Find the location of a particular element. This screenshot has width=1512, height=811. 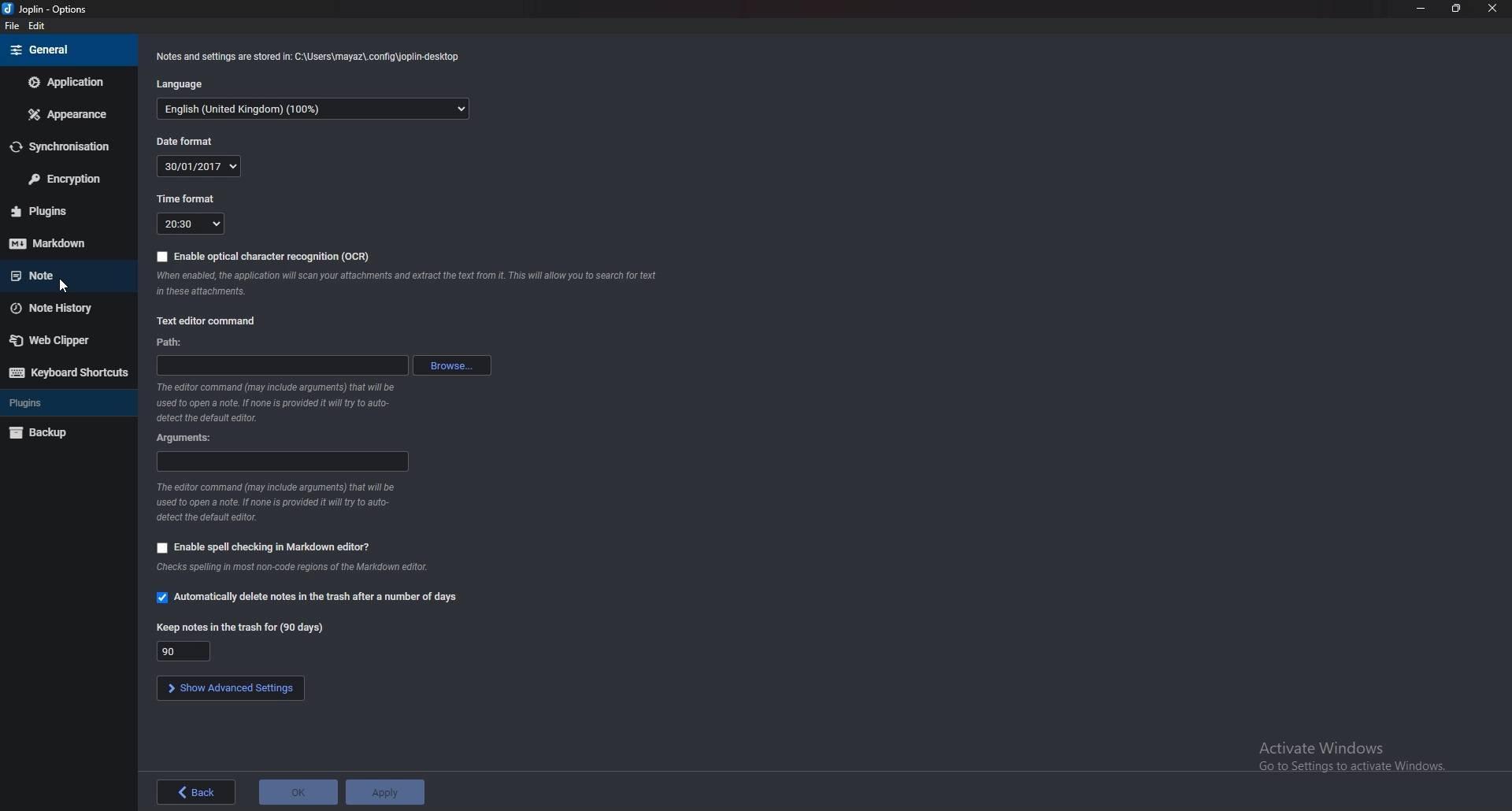

cursor is located at coordinates (64, 284).